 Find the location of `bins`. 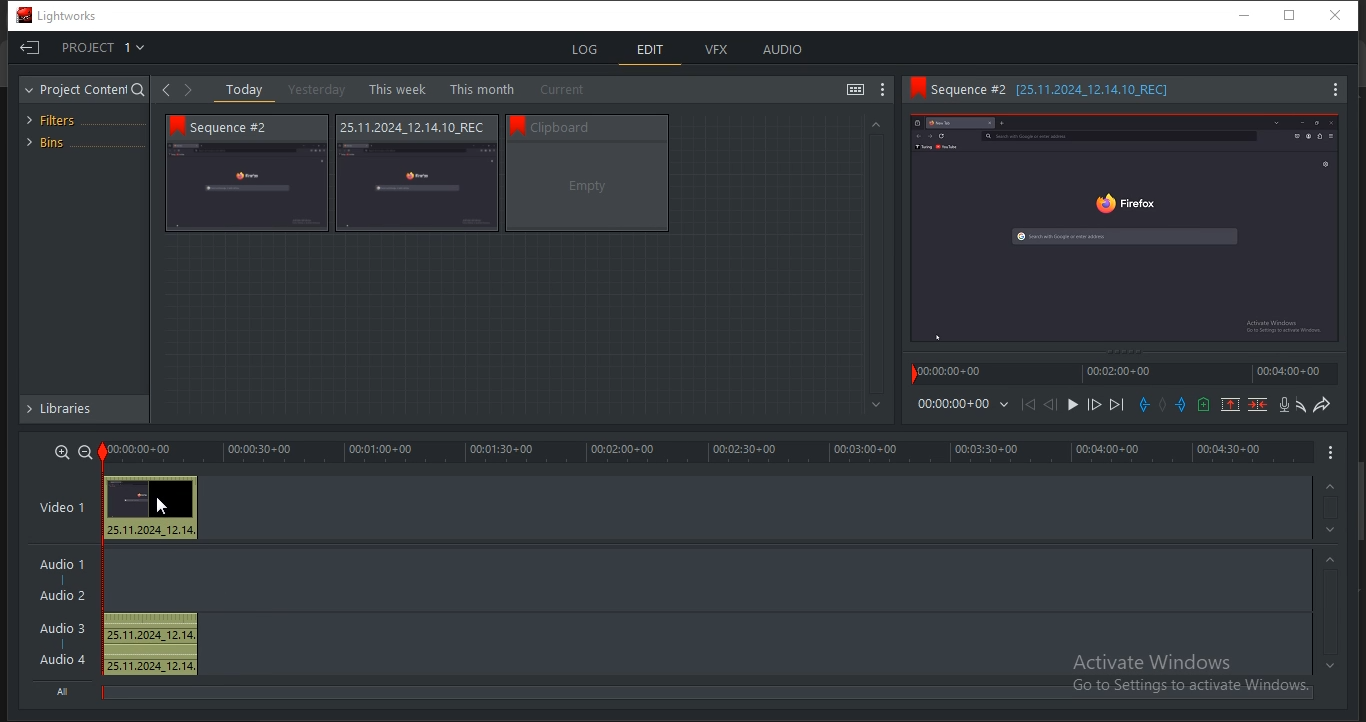

bins is located at coordinates (80, 141).